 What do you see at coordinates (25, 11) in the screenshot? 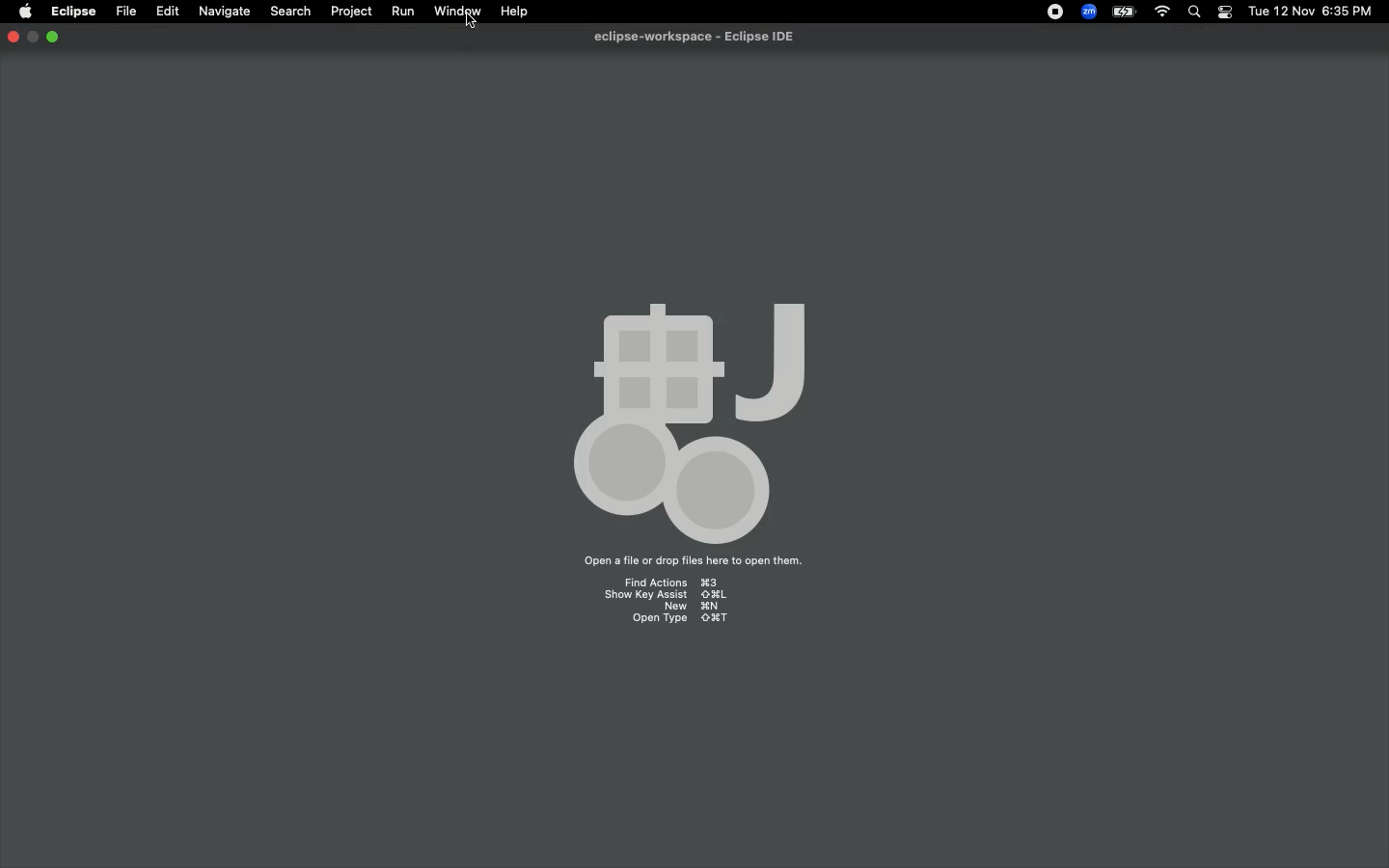
I see `Apple logo` at bounding box center [25, 11].